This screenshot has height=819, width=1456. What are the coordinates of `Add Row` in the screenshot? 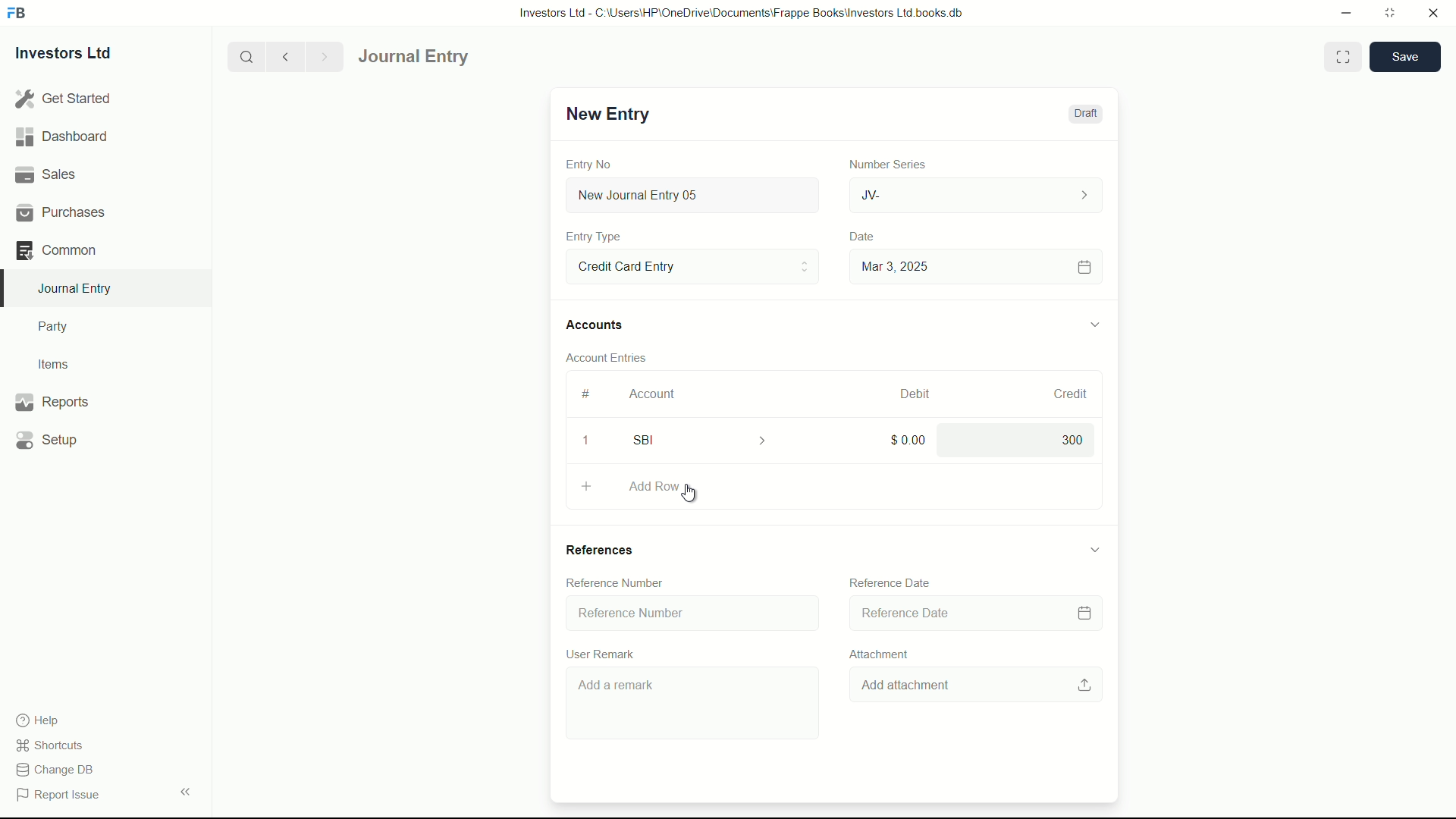 It's located at (835, 488).